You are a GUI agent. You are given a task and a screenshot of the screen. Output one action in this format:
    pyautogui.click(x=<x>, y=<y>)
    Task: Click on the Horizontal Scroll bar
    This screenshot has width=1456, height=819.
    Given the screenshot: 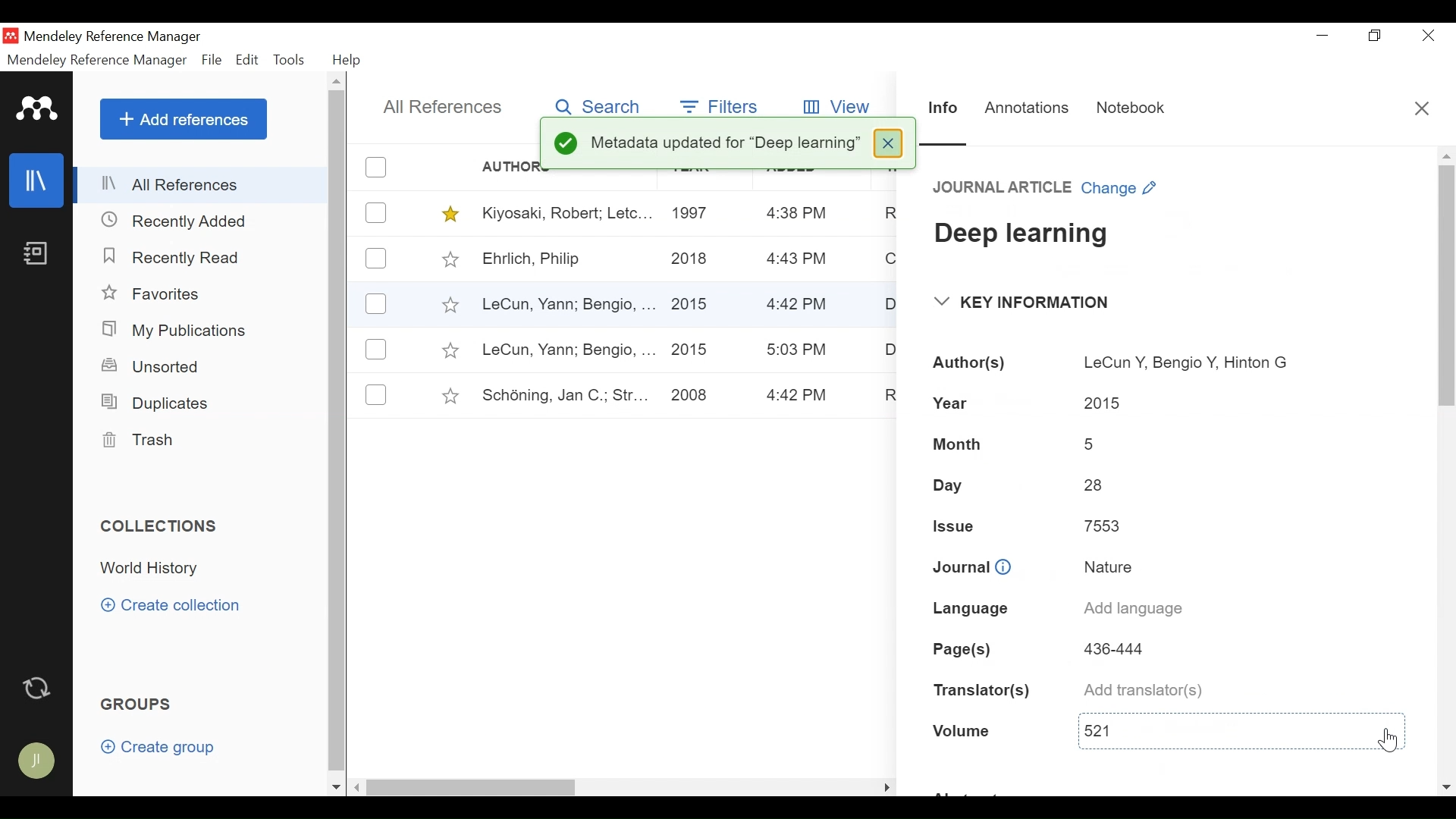 What is the action you would take?
    pyautogui.click(x=598, y=786)
    